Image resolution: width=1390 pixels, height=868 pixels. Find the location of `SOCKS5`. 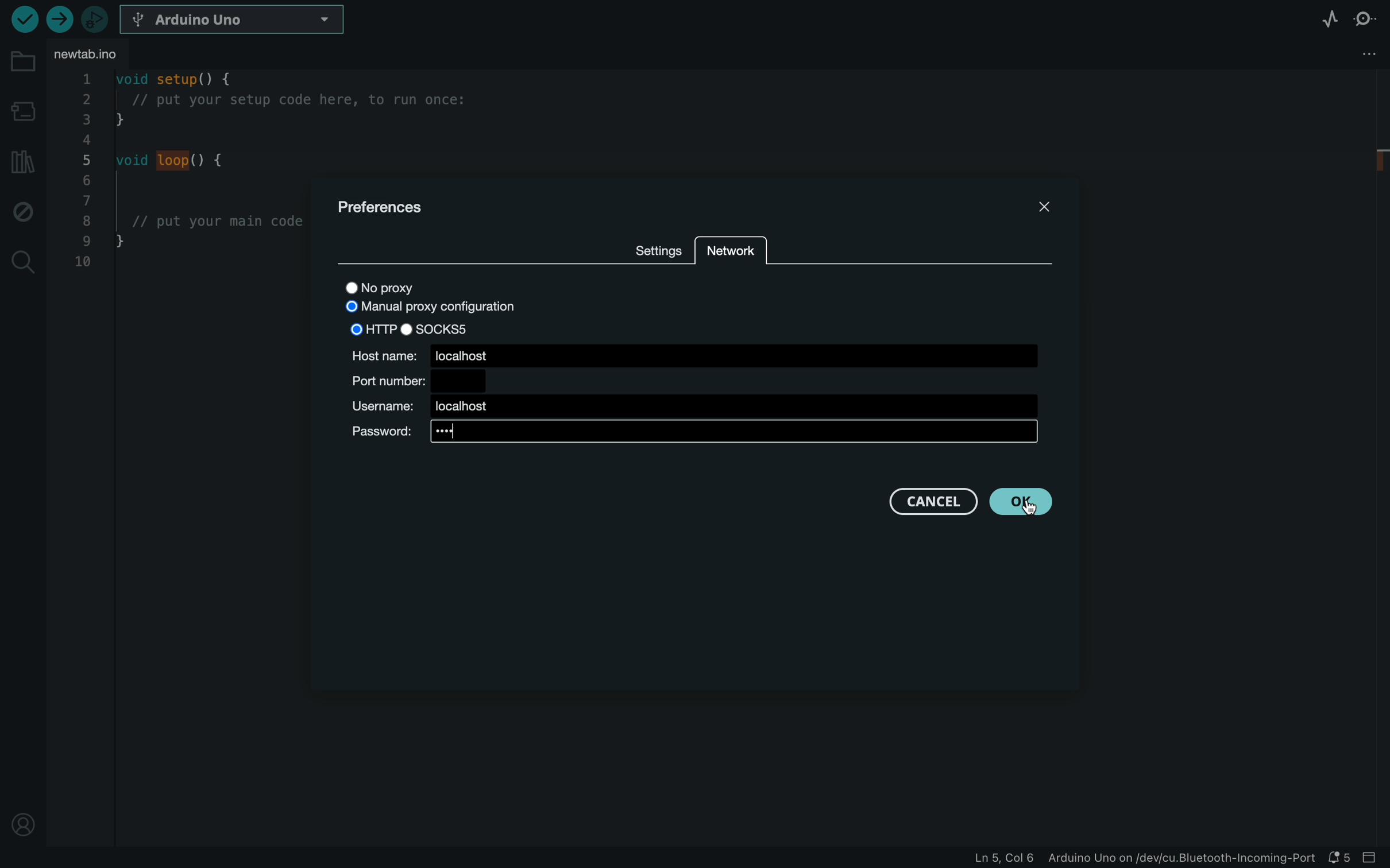

SOCKS5 is located at coordinates (438, 328).